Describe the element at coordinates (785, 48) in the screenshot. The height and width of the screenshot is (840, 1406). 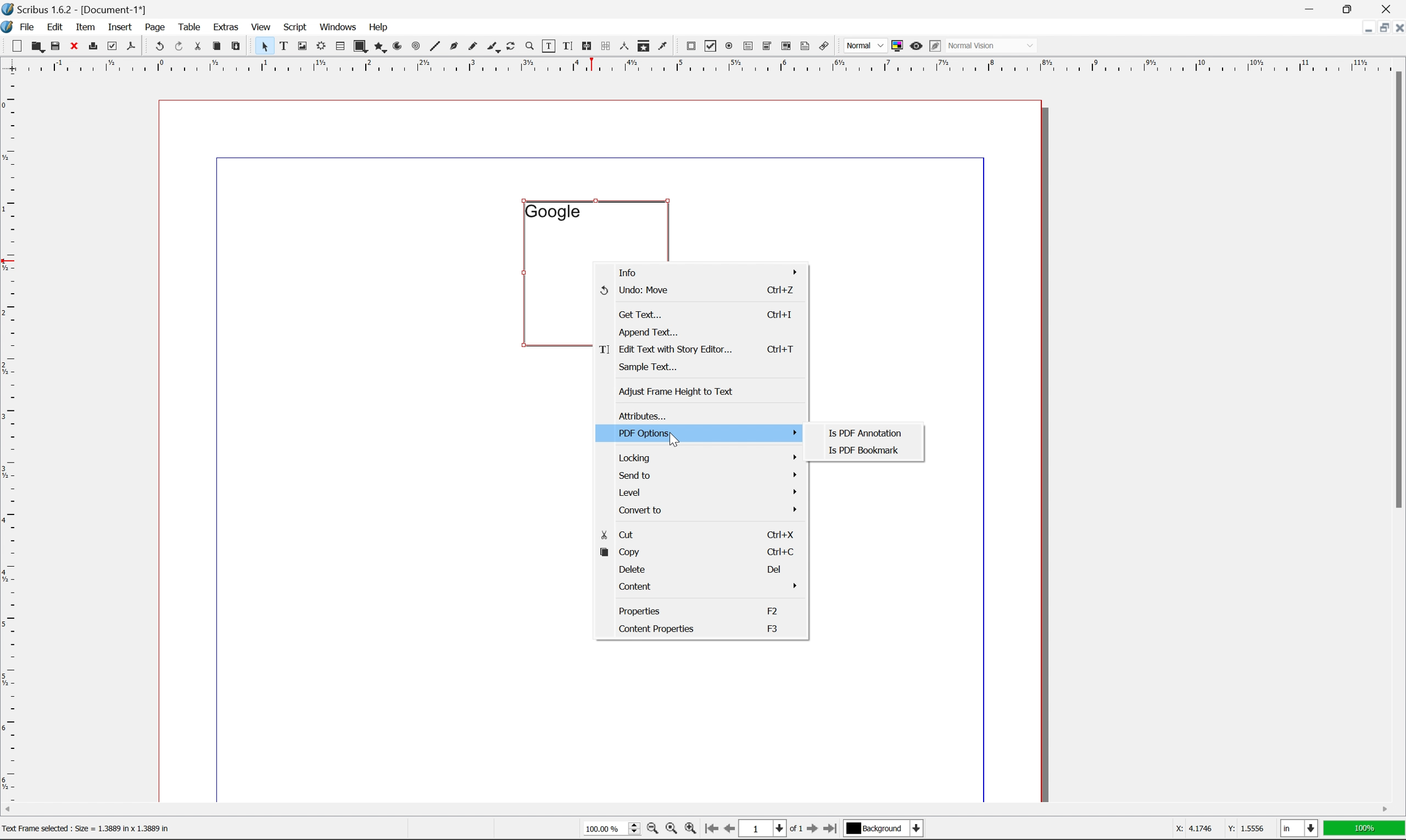
I see `pdf list box` at that location.